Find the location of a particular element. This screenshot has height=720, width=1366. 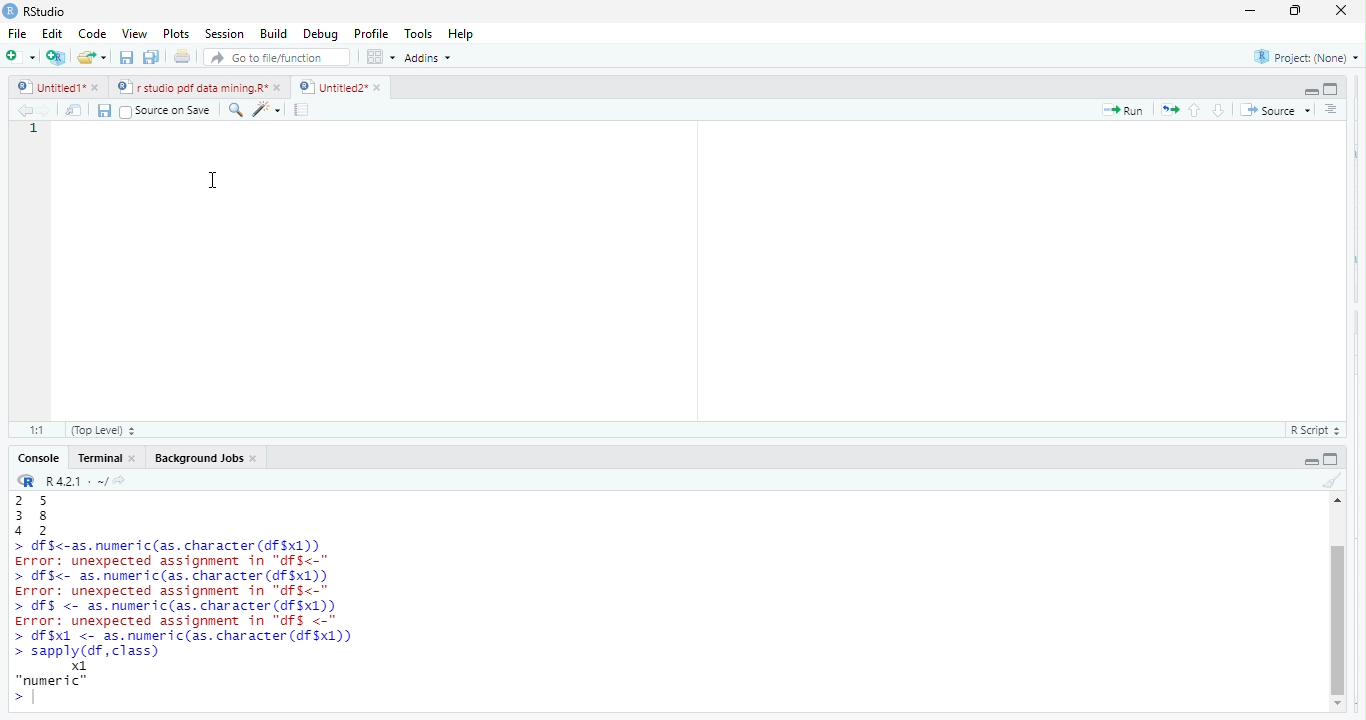

Code is located at coordinates (93, 33).